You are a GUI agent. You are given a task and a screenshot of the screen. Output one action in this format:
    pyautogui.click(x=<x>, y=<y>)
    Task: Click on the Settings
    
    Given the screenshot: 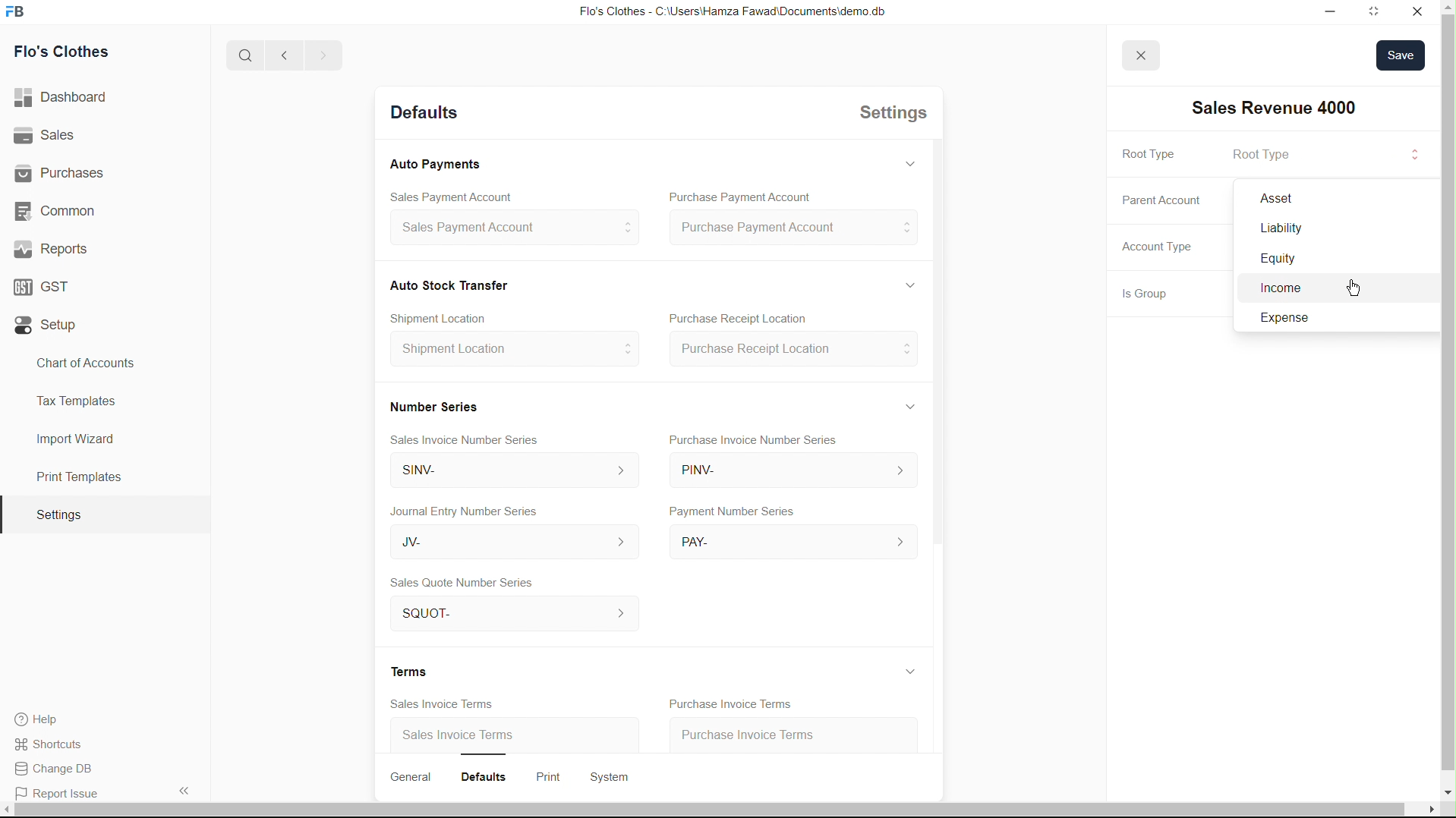 What is the action you would take?
    pyautogui.click(x=897, y=116)
    